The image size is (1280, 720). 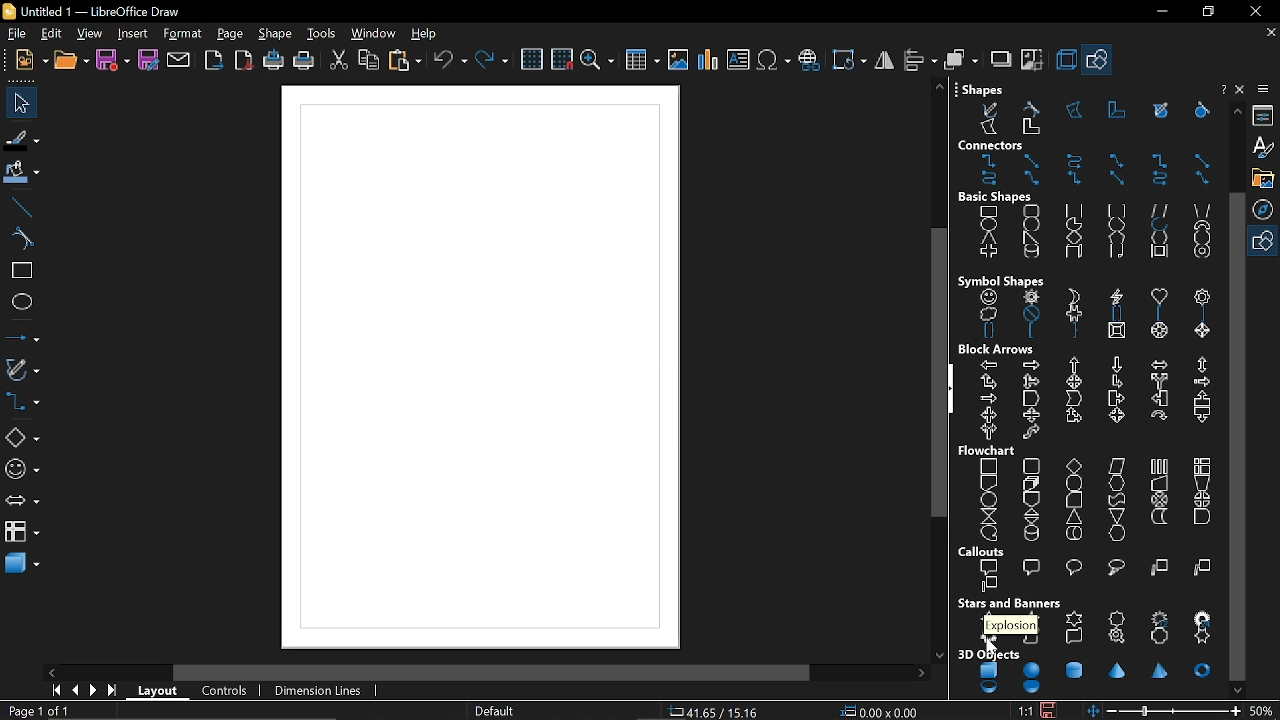 What do you see at coordinates (22, 532) in the screenshot?
I see `flowchart` at bounding box center [22, 532].